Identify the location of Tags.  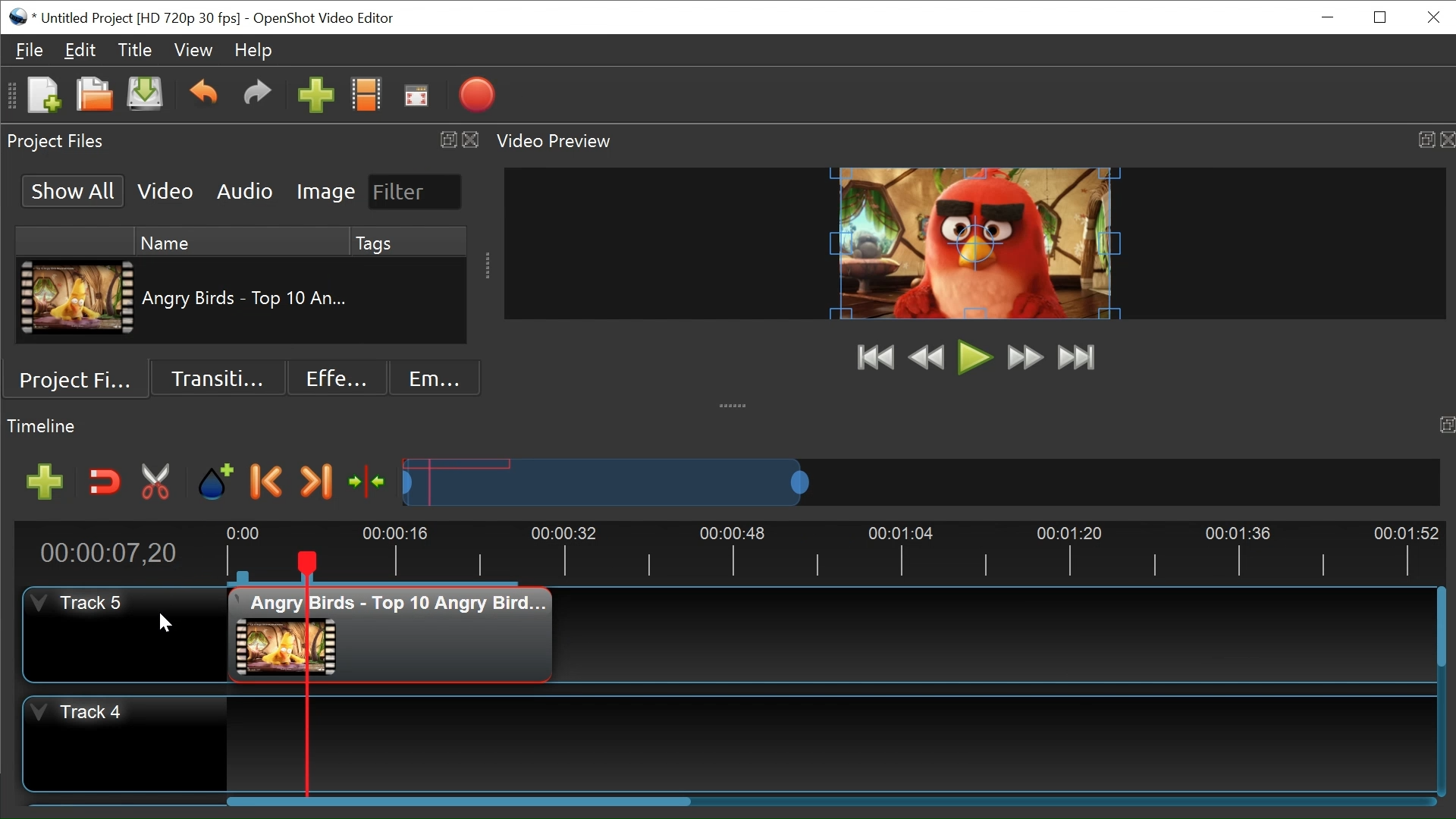
(411, 242).